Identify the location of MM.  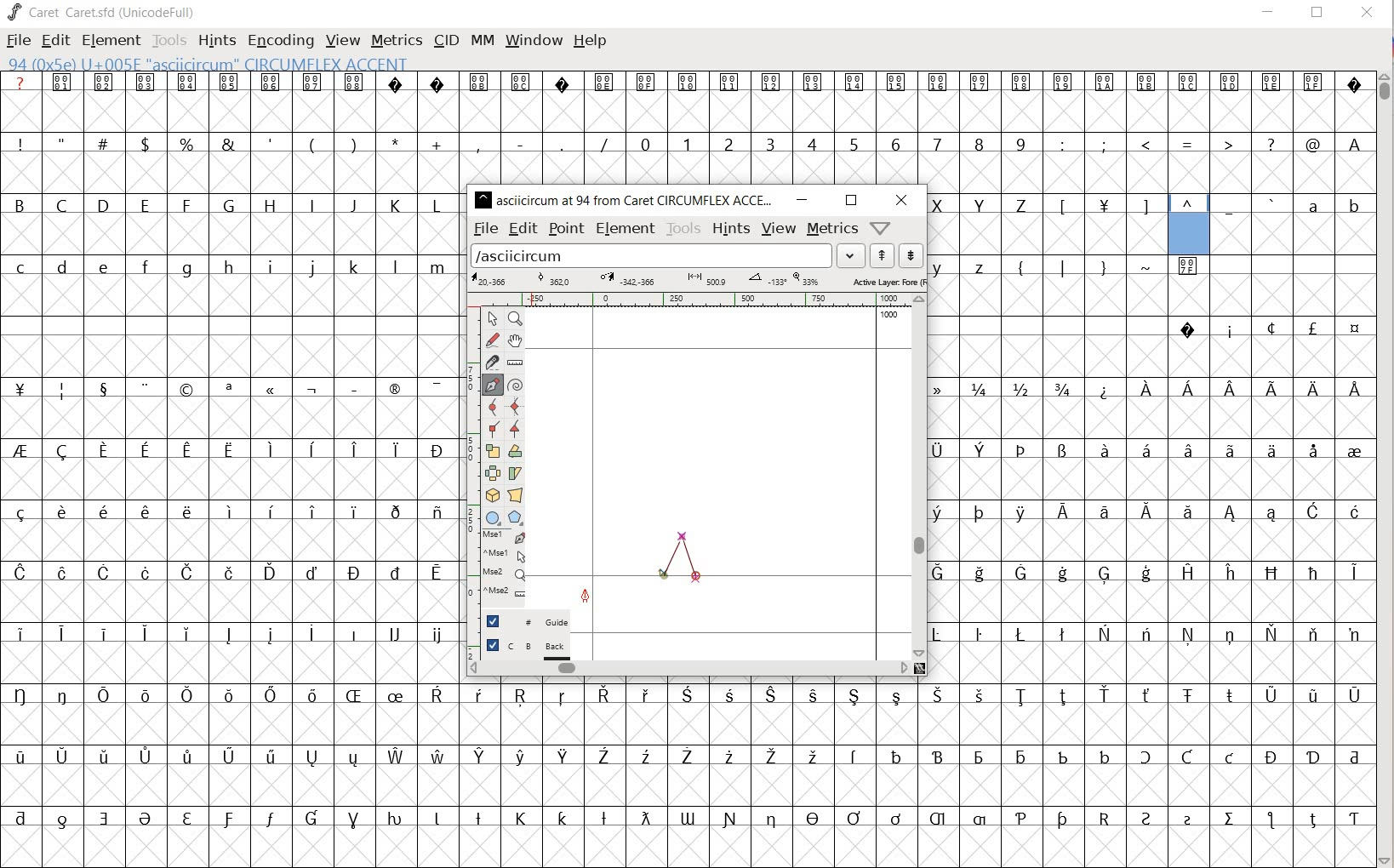
(479, 40).